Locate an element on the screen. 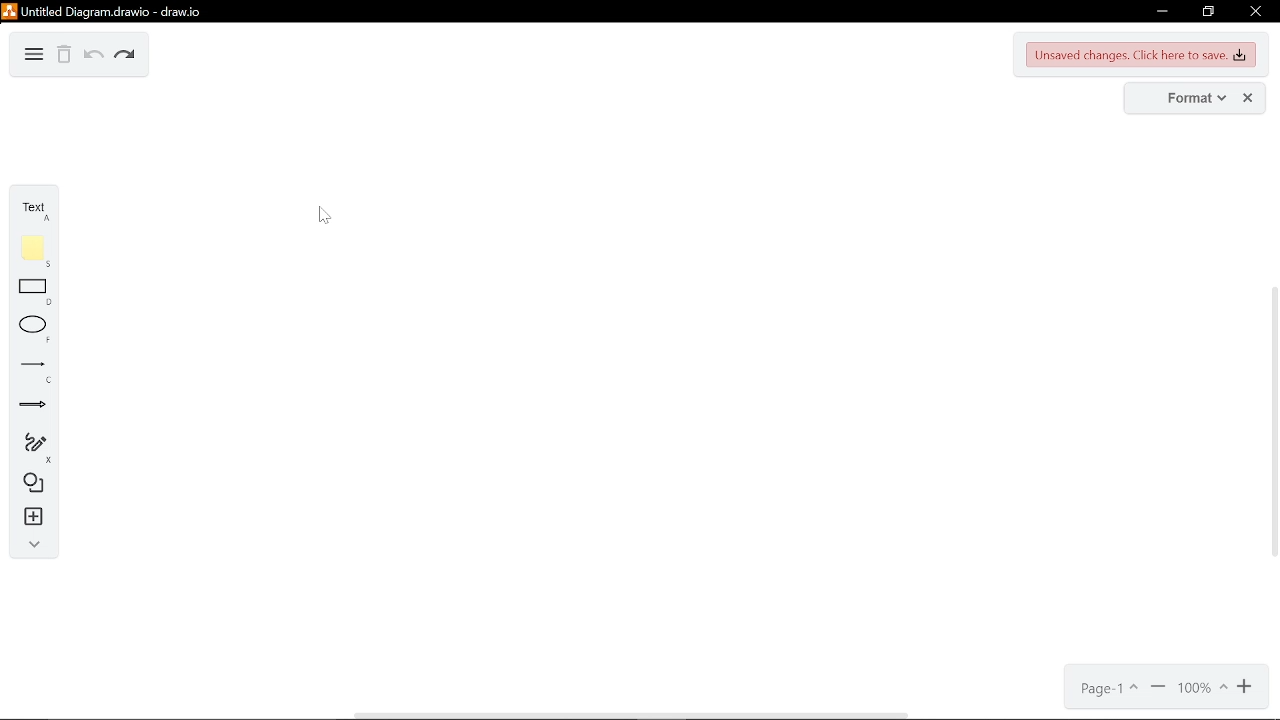 The height and width of the screenshot is (720, 1280). freehand is located at coordinates (30, 448).